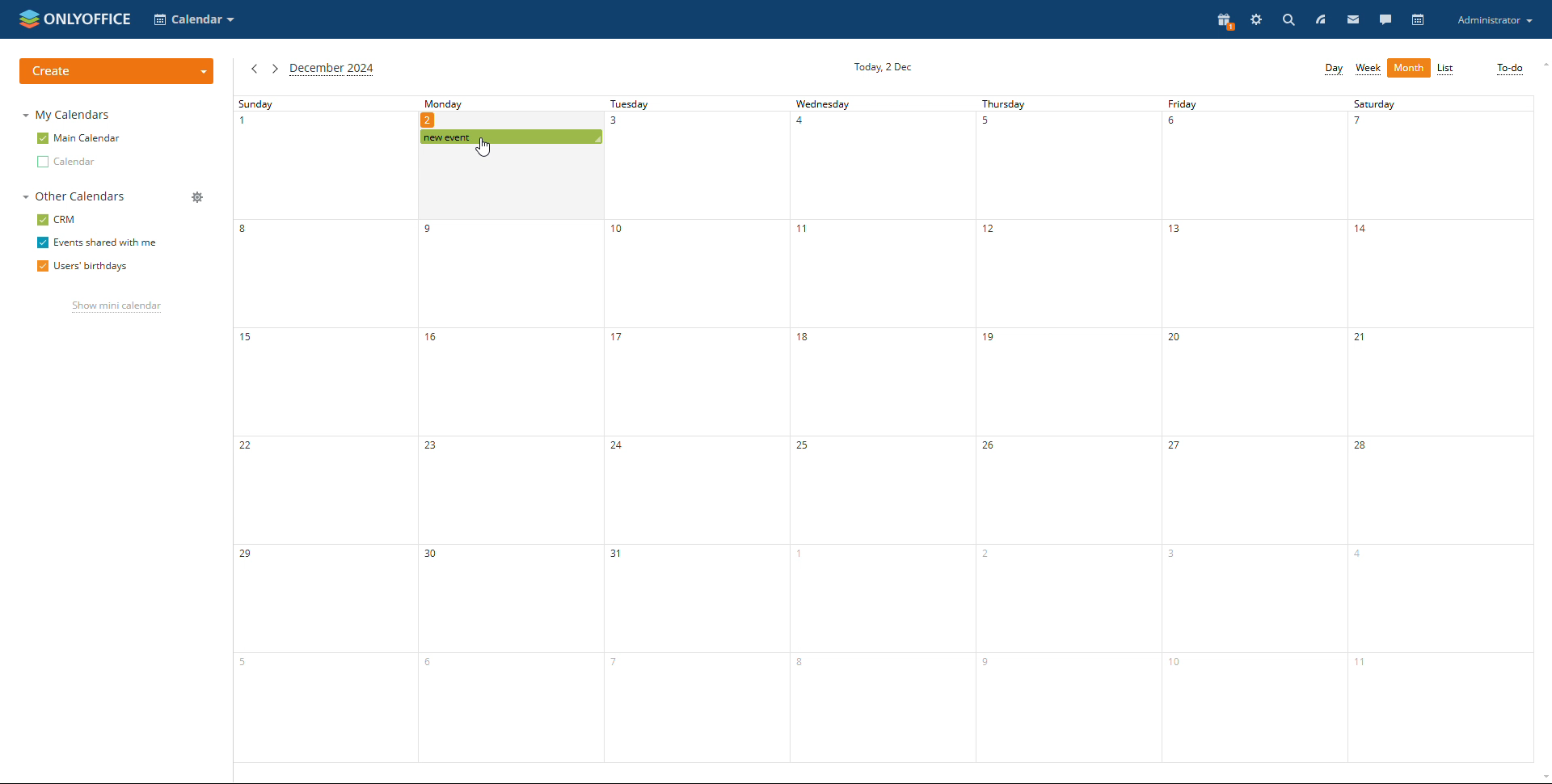 This screenshot has height=784, width=1552. Describe the element at coordinates (116, 72) in the screenshot. I see `create` at that location.